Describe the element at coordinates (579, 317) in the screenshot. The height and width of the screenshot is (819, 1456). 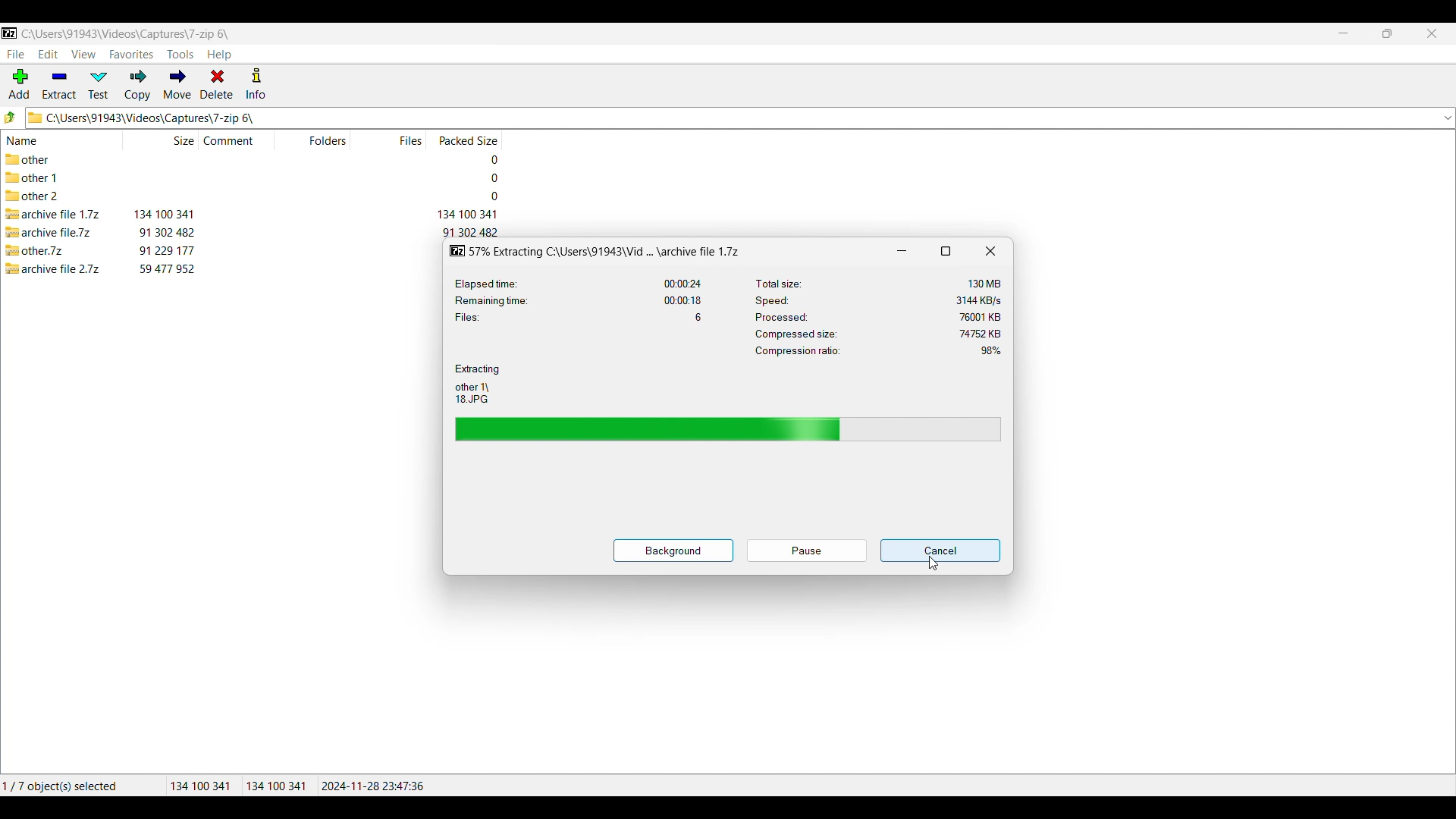
I see `Files: 6` at that location.